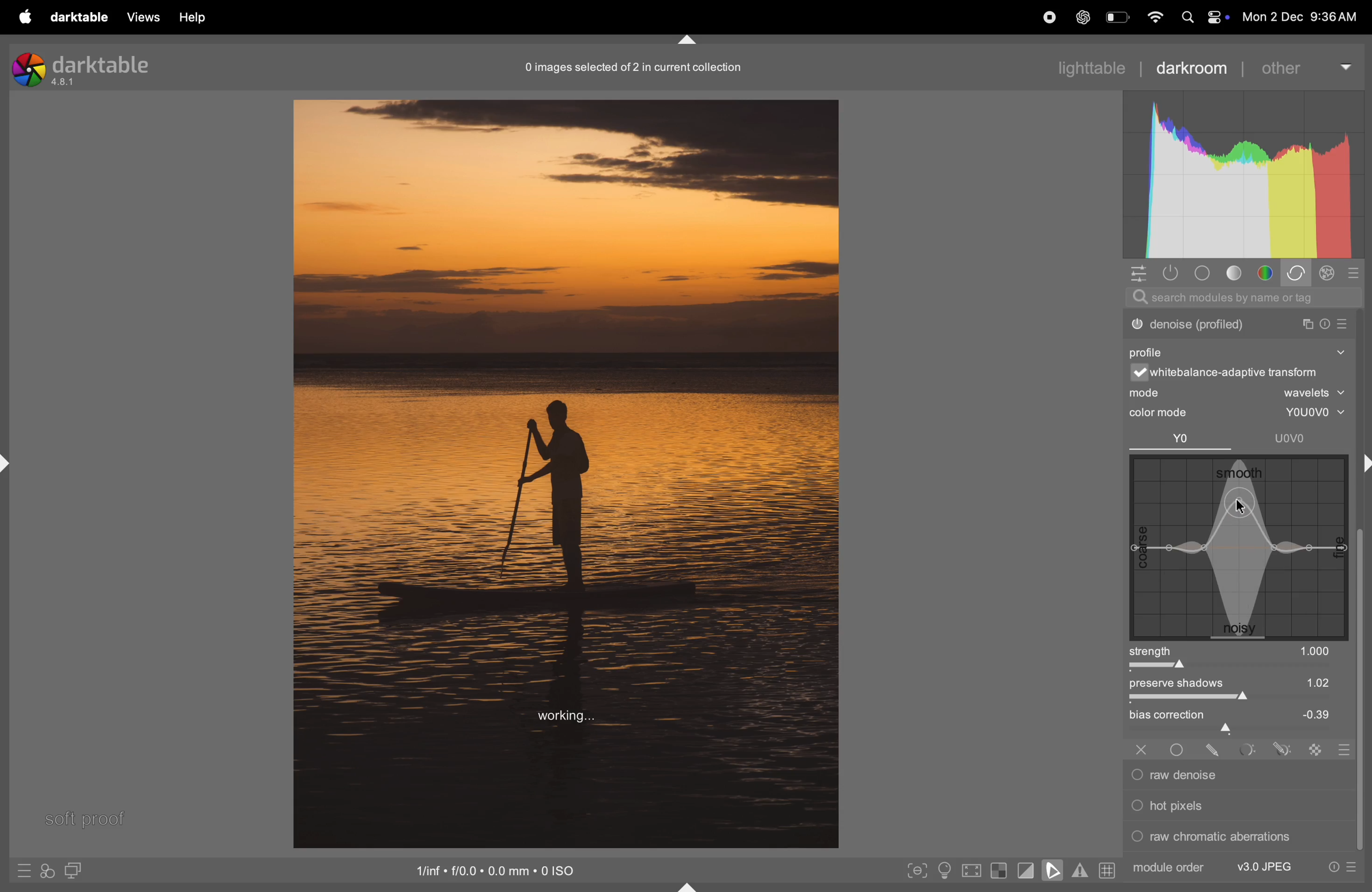  What do you see at coordinates (943, 870) in the screenshot?
I see `toggle iso` at bounding box center [943, 870].